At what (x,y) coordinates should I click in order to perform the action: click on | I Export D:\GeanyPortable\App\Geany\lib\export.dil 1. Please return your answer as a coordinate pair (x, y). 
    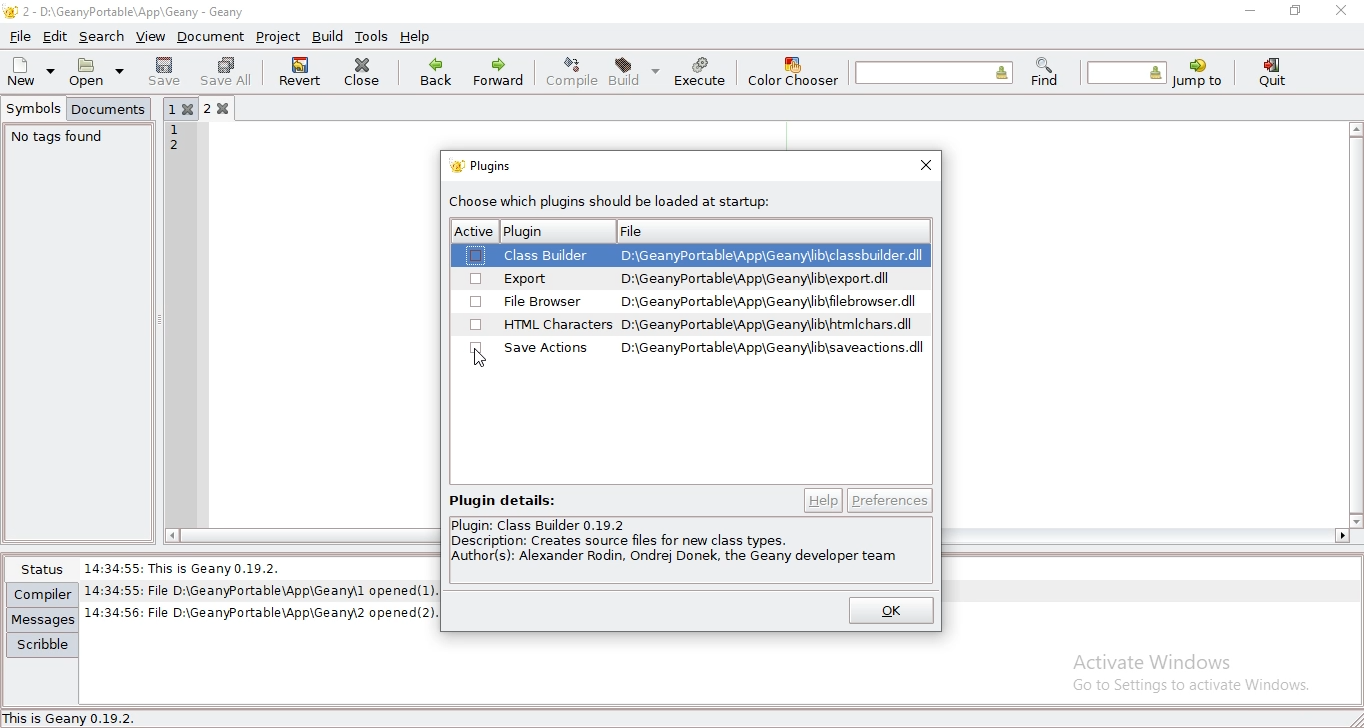
    Looking at the image, I should click on (690, 278).